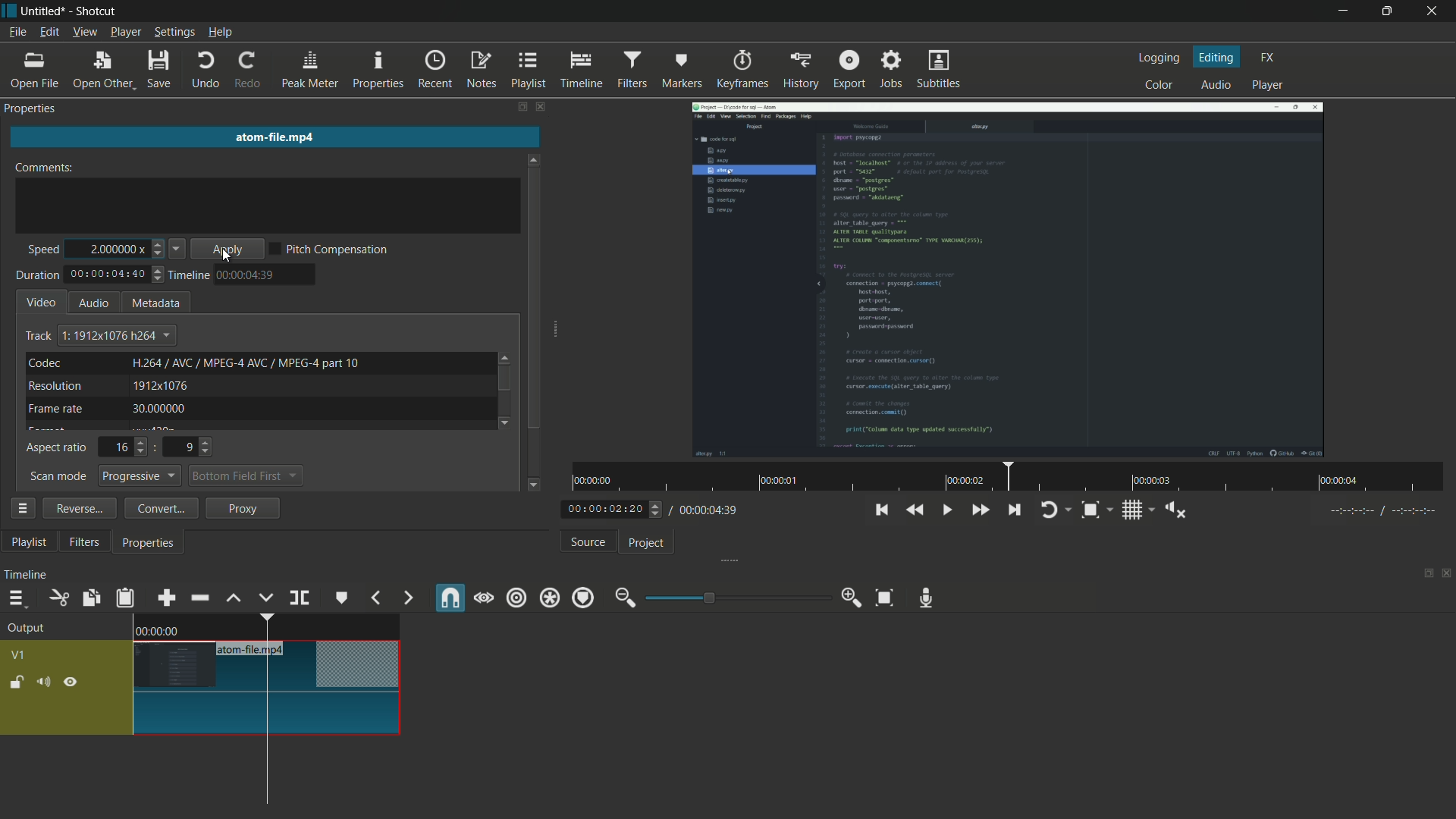 Image resolution: width=1456 pixels, height=819 pixels. I want to click on settings menu, so click(175, 33).